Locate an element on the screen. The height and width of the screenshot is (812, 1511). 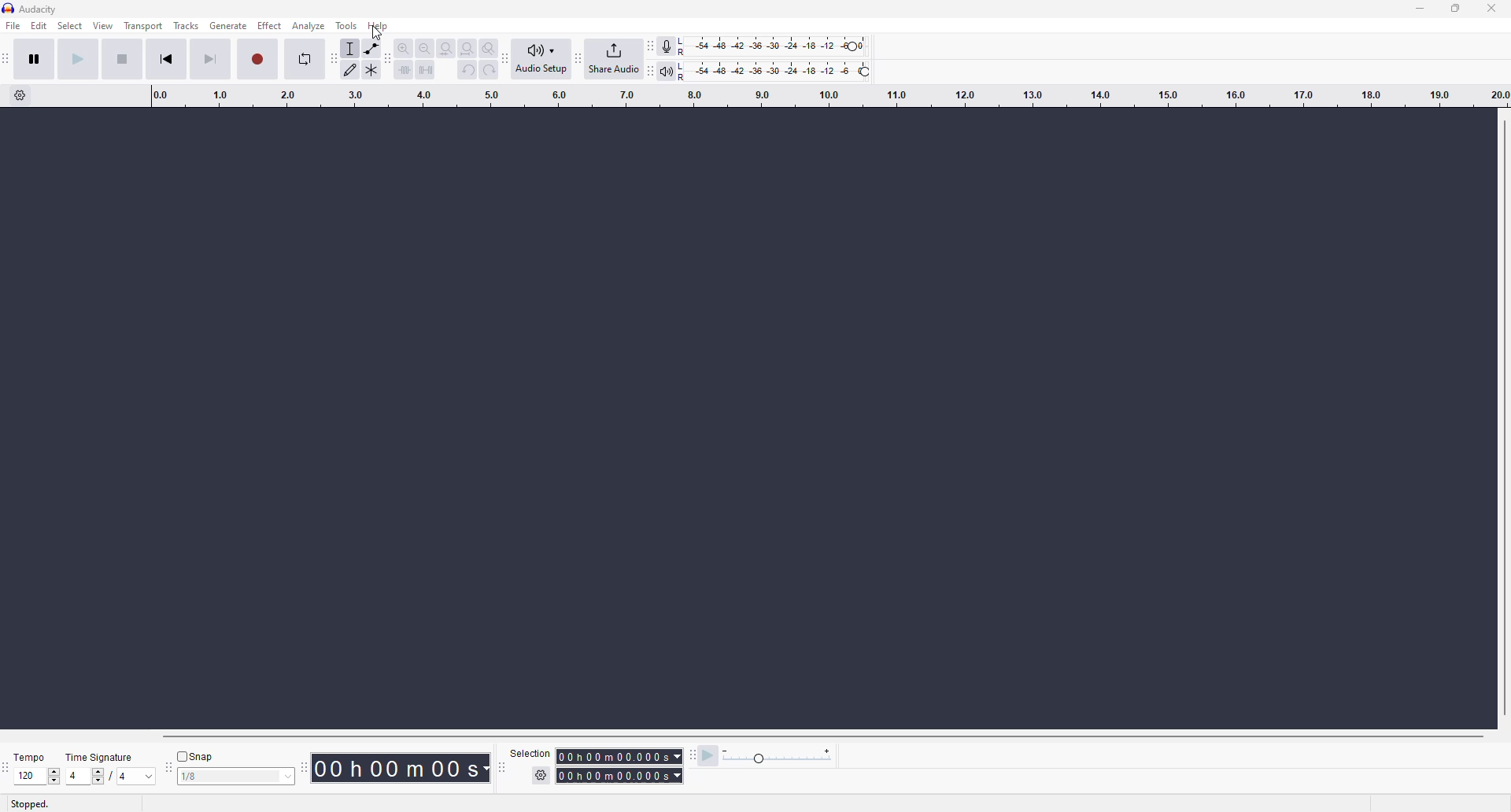
audacity tools toolbar is located at coordinates (334, 58).